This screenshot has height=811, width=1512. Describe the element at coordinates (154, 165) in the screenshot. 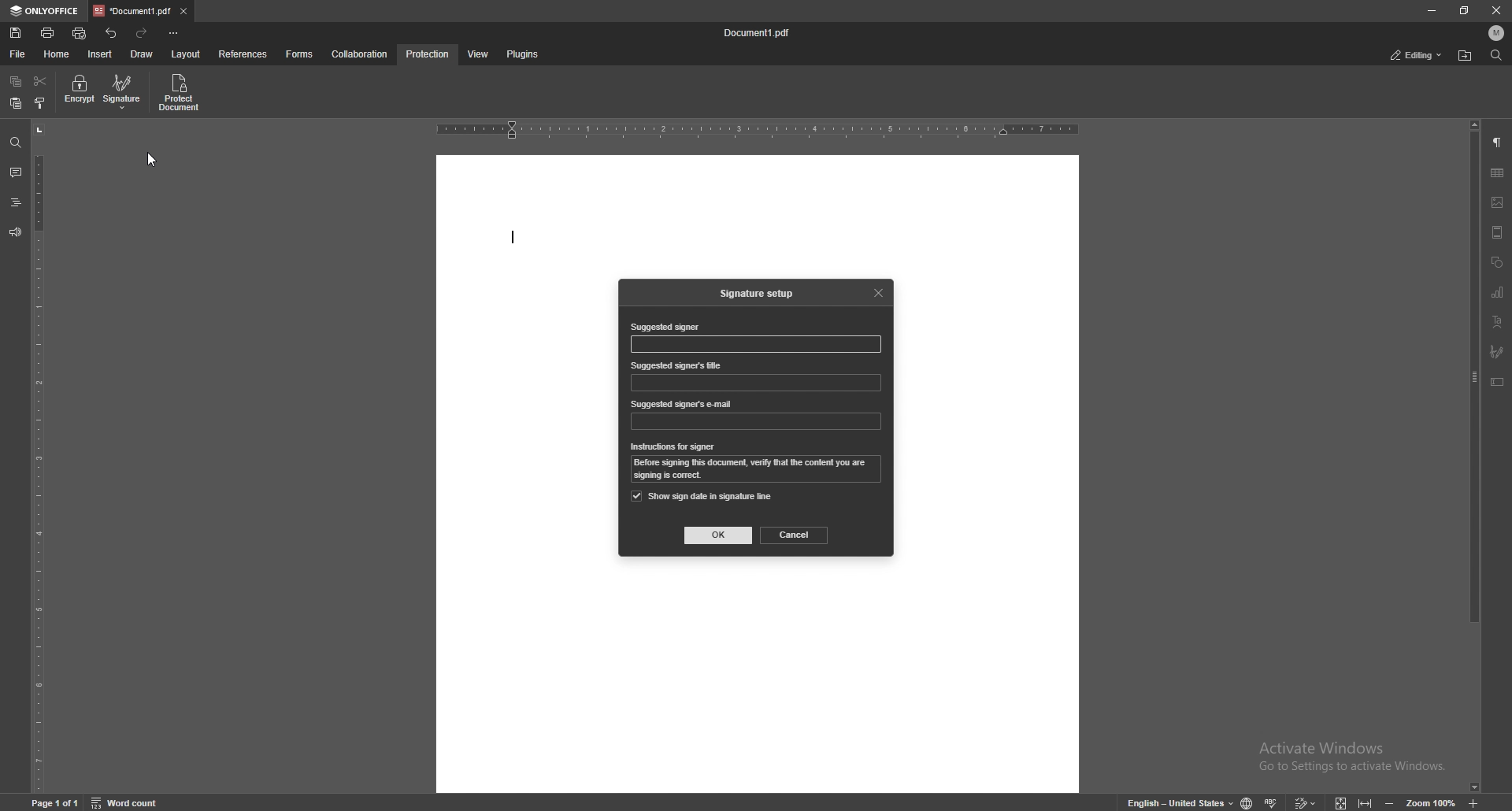

I see `cursor` at that location.